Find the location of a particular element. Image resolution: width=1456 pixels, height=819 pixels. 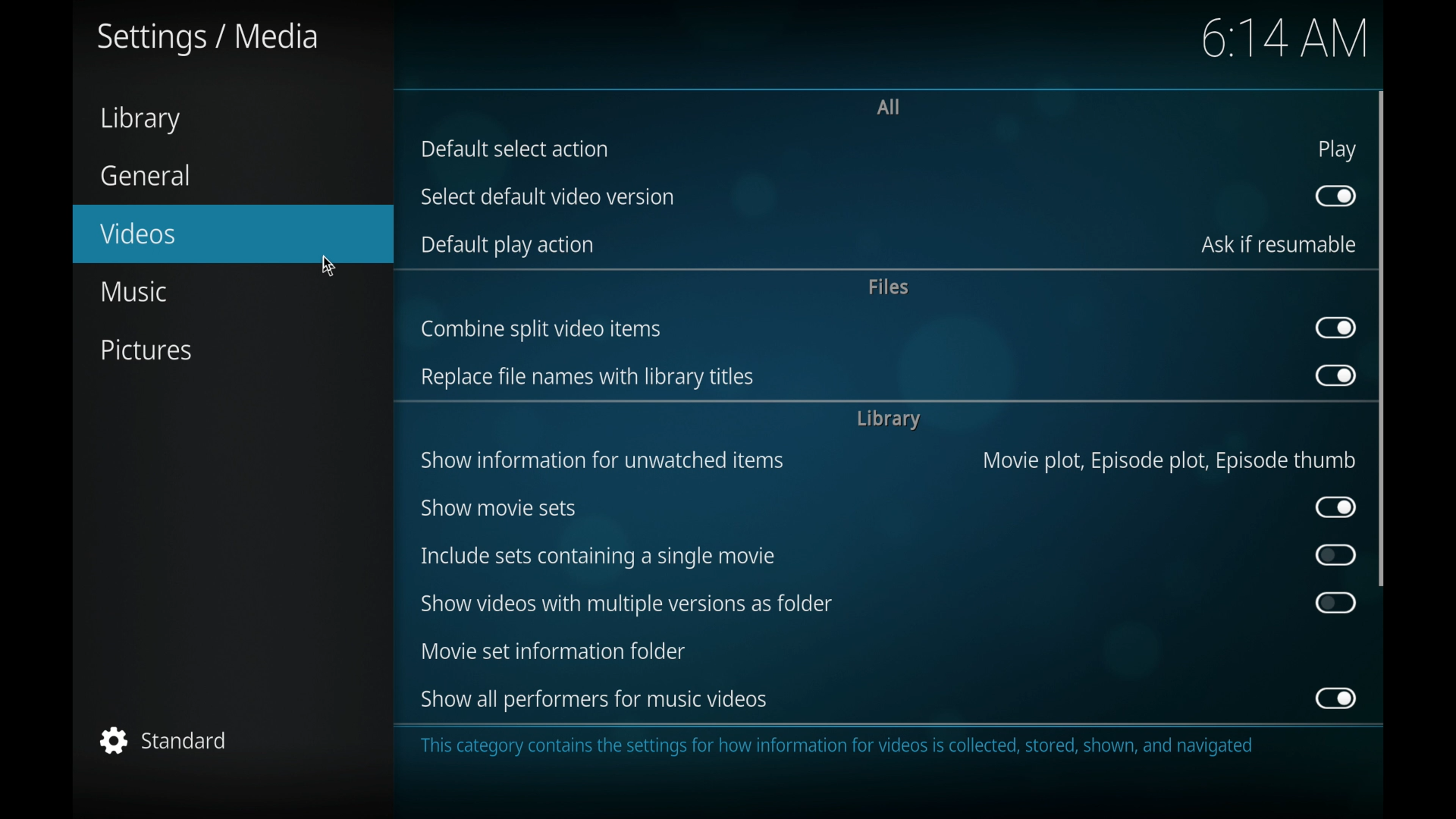

standard is located at coordinates (165, 740).